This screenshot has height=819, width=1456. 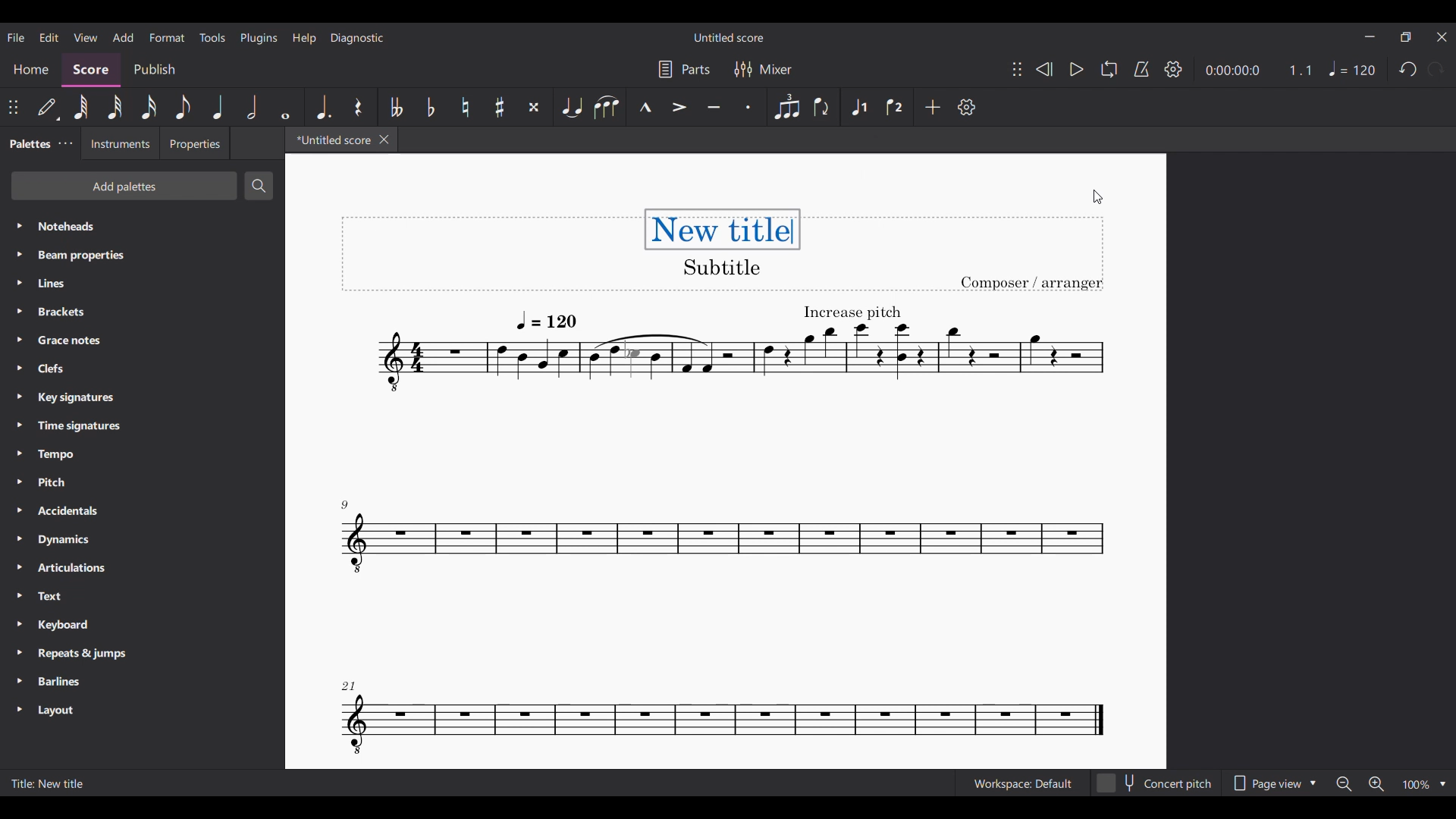 I want to click on Staccato, so click(x=751, y=107).